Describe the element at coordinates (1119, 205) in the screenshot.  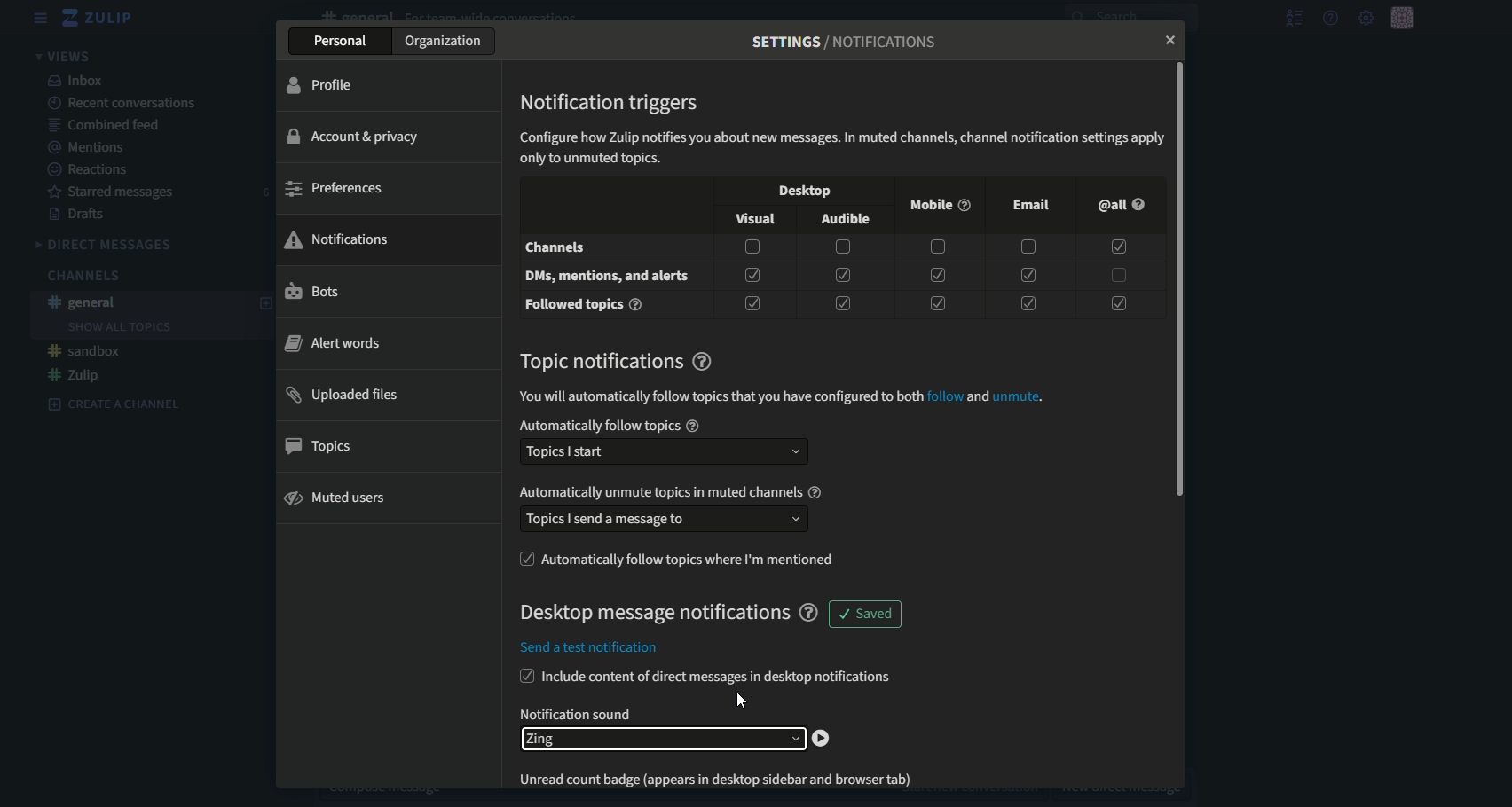
I see `@all` at that location.